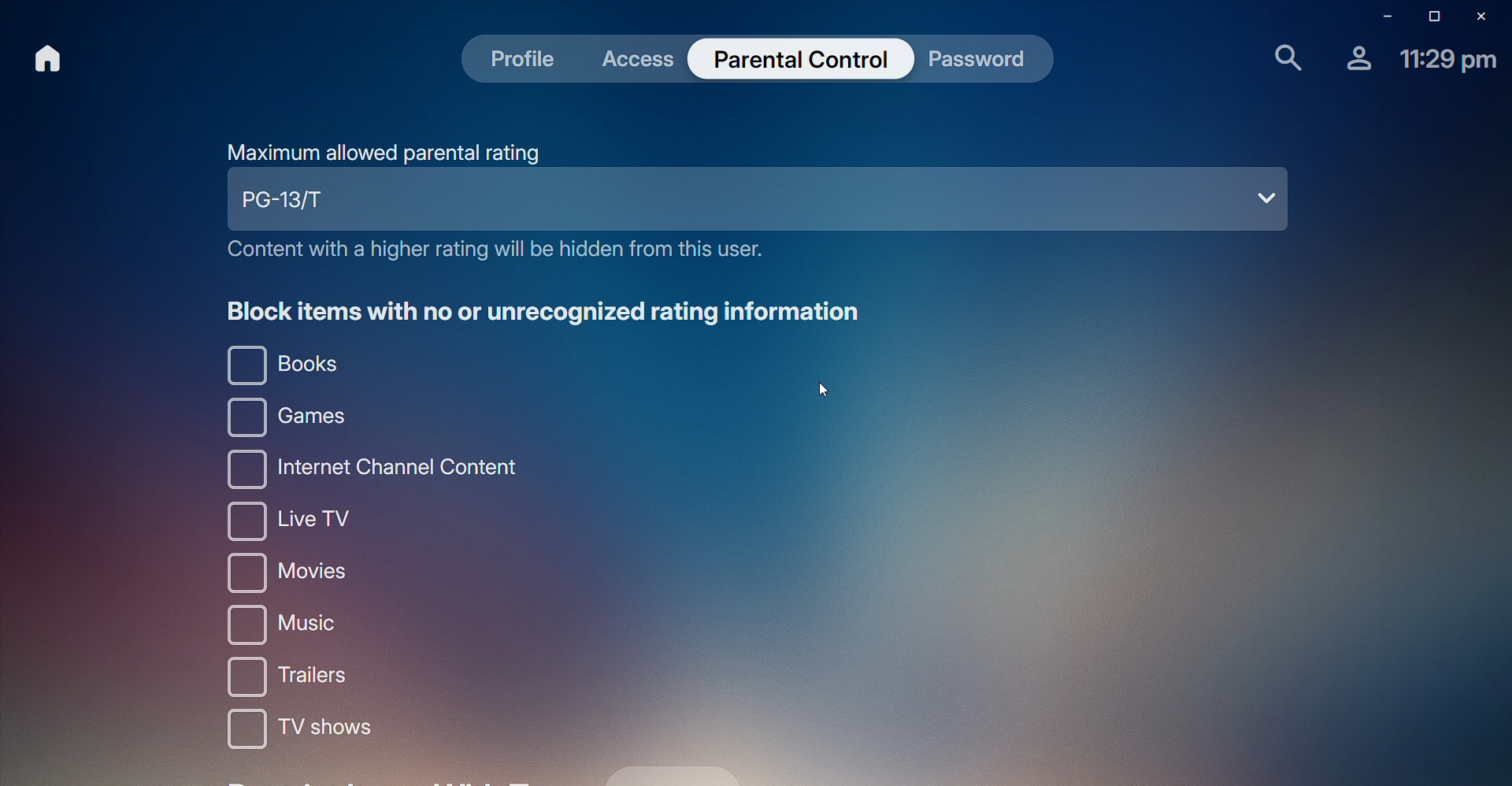  What do you see at coordinates (491, 253) in the screenshot?
I see `Content with a higher rating will be hidden from this user,` at bounding box center [491, 253].